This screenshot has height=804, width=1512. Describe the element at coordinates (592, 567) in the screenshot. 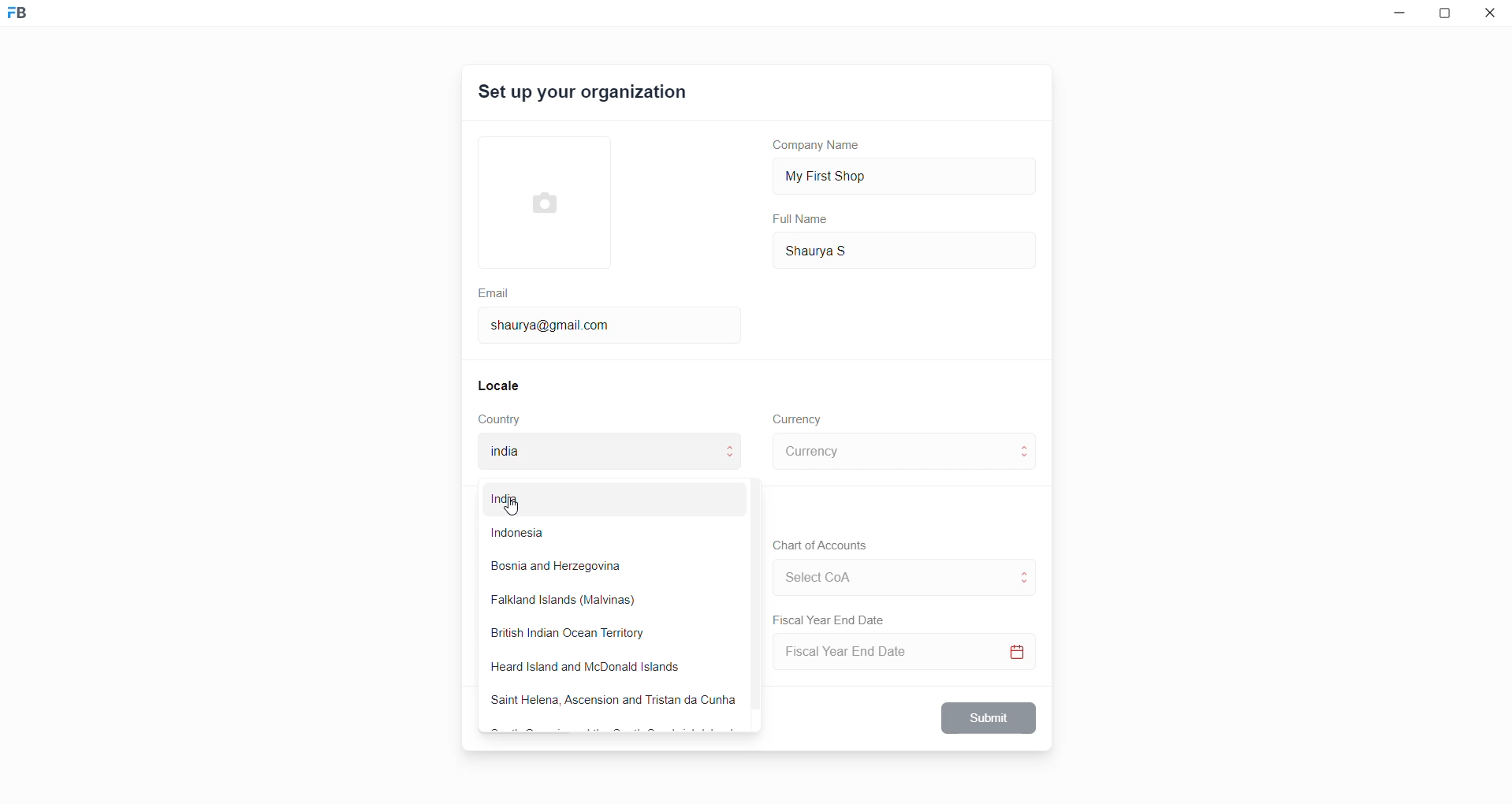

I see `Bosnia and Herzegovina` at that location.